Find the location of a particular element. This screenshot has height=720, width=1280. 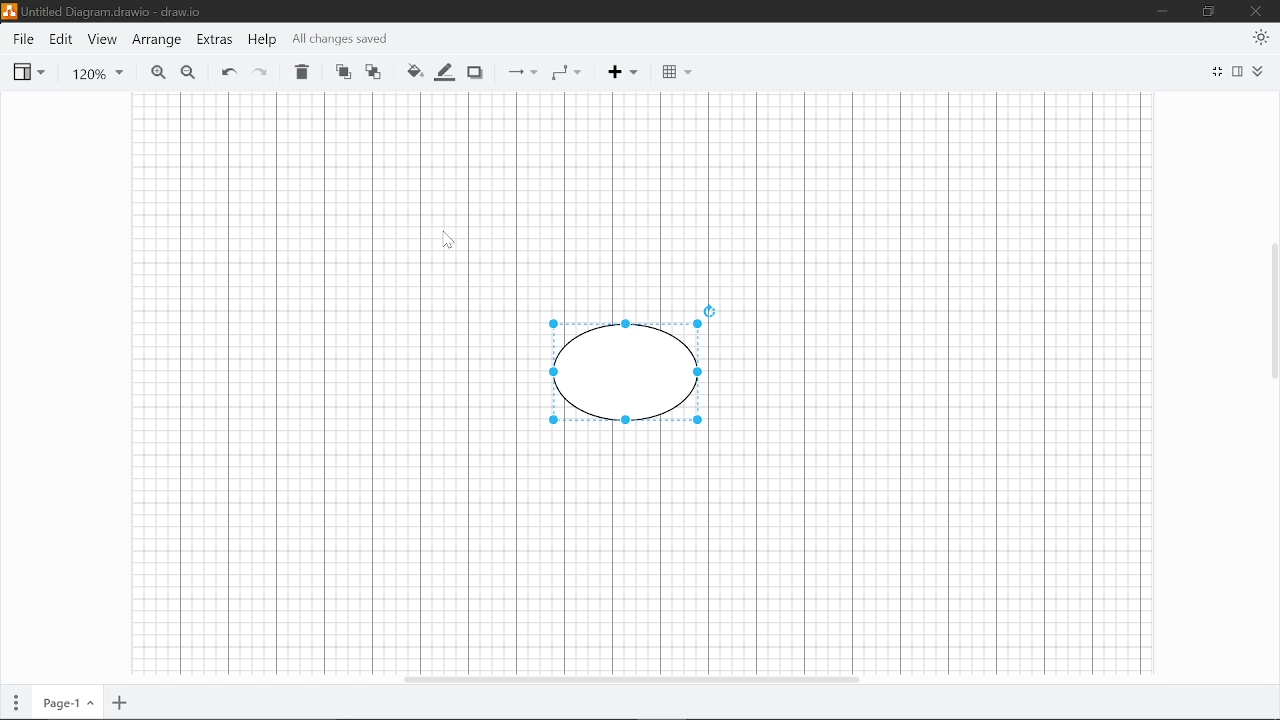

Collapse is located at coordinates (1259, 71).